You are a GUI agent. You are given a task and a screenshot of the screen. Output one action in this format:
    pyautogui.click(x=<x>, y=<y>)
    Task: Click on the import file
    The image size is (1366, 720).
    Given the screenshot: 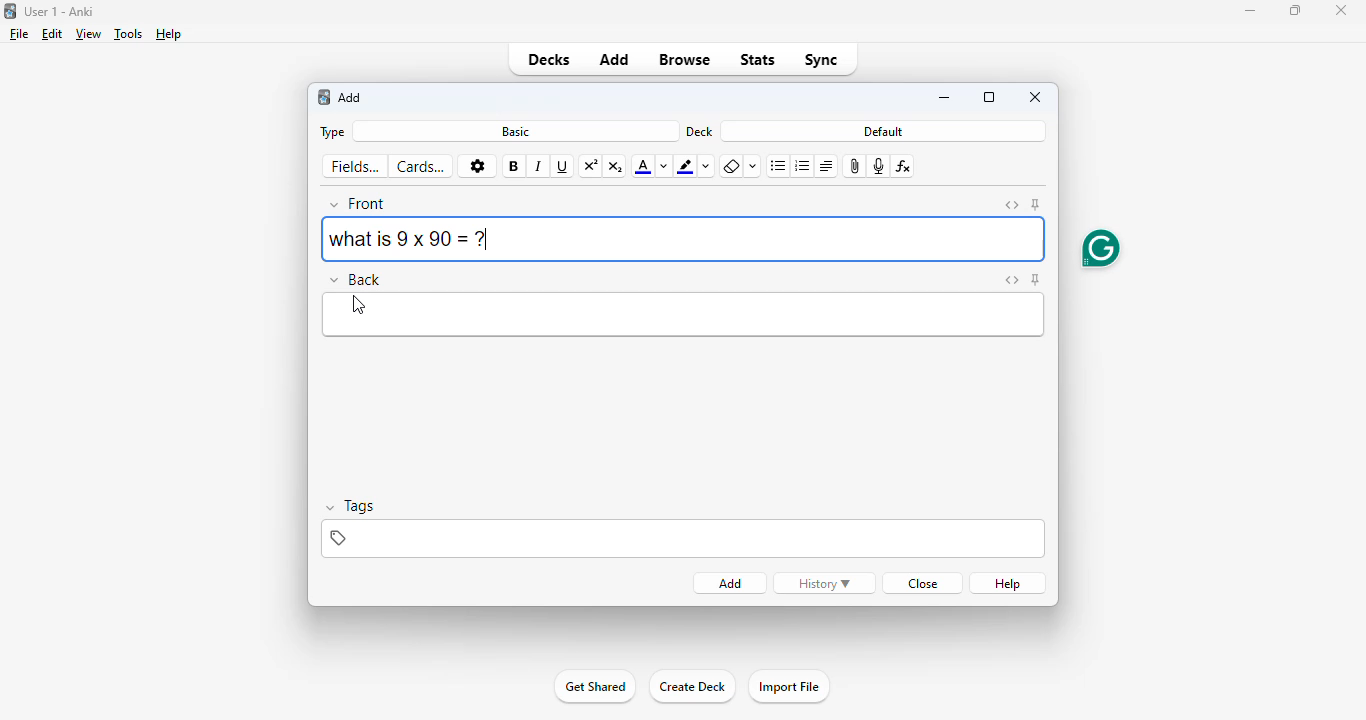 What is the action you would take?
    pyautogui.click(x=788, y=687)
    